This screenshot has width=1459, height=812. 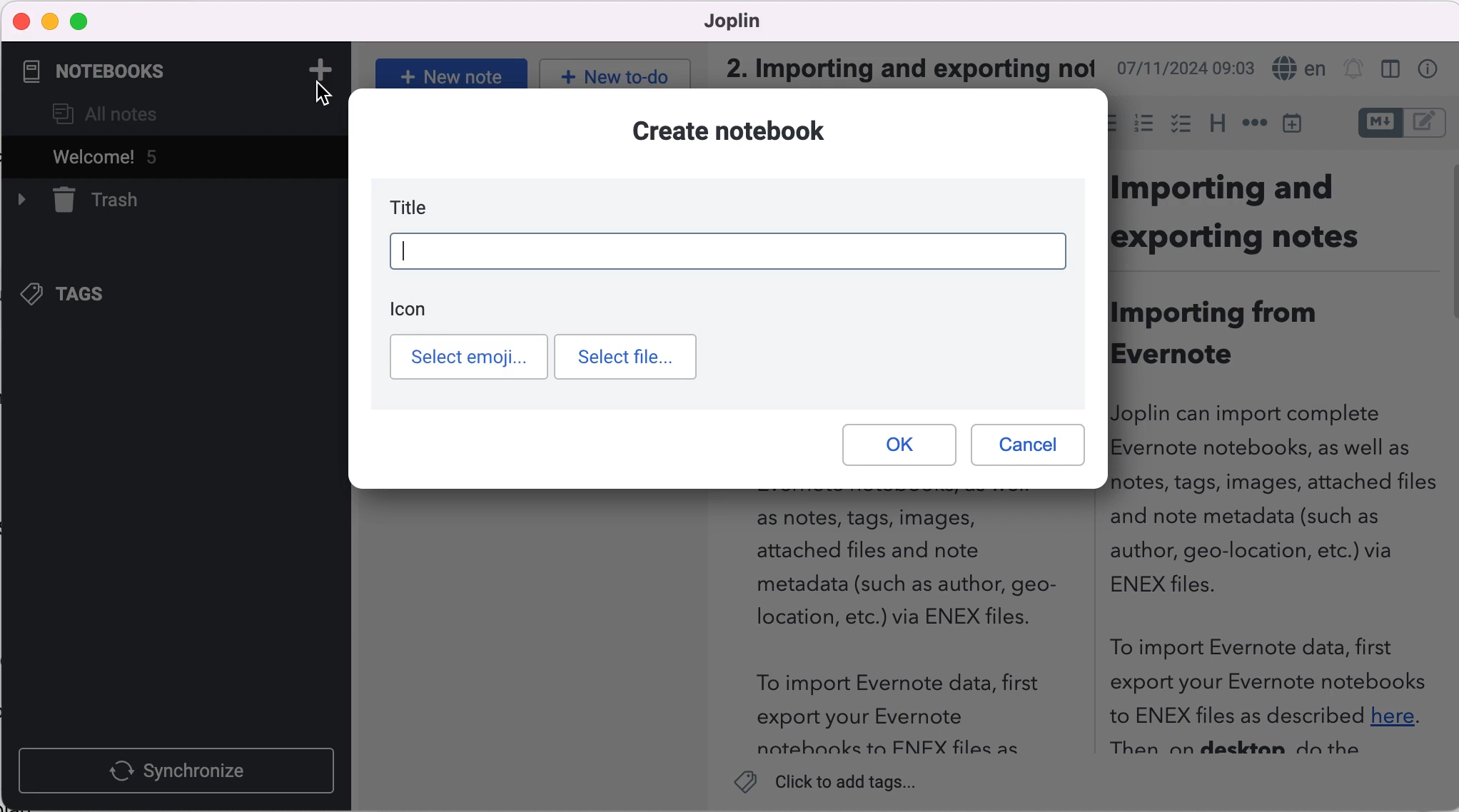 What do you see at coordinates (627, 357) in the screenshot?
I see `select file` at bounding box center [627, 357].